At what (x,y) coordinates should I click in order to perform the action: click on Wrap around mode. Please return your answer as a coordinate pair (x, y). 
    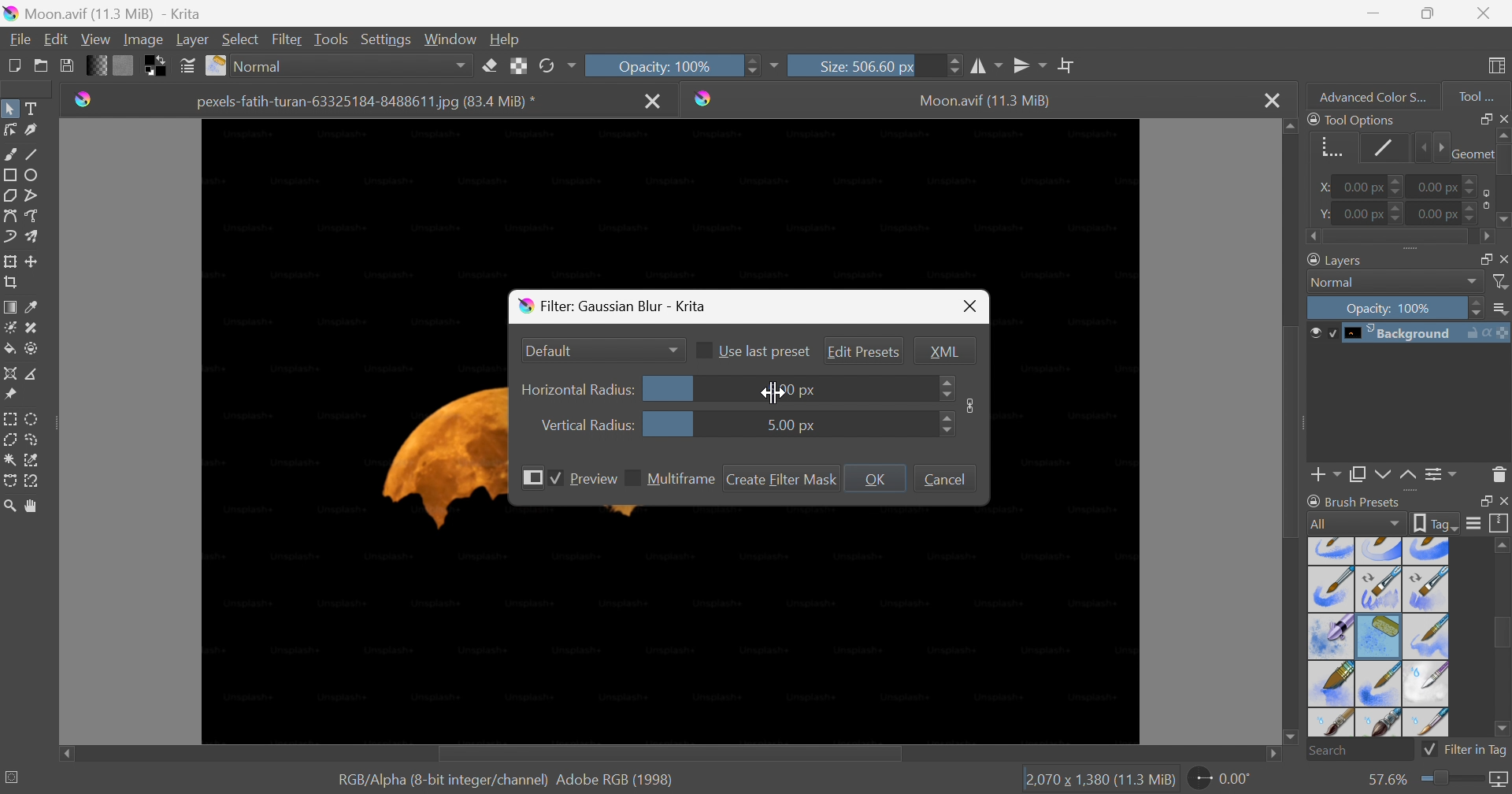
    Looking at the image, I should click on (1065, 64).